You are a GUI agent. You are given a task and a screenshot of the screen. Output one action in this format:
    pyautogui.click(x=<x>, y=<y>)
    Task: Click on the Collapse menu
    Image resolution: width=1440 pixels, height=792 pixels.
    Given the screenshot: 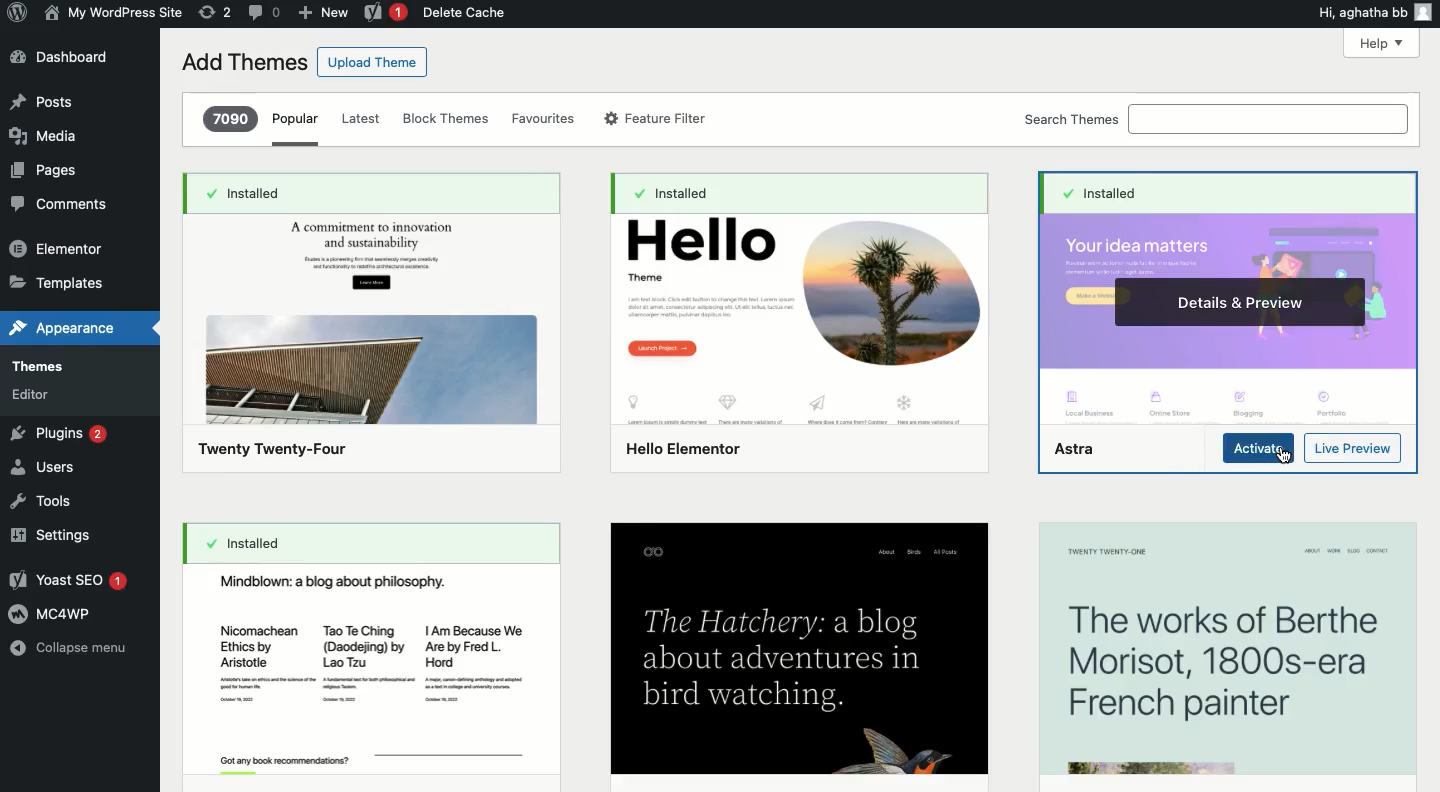 What is the action you would take?
    pyautogui.click(x=71, y=648)
    